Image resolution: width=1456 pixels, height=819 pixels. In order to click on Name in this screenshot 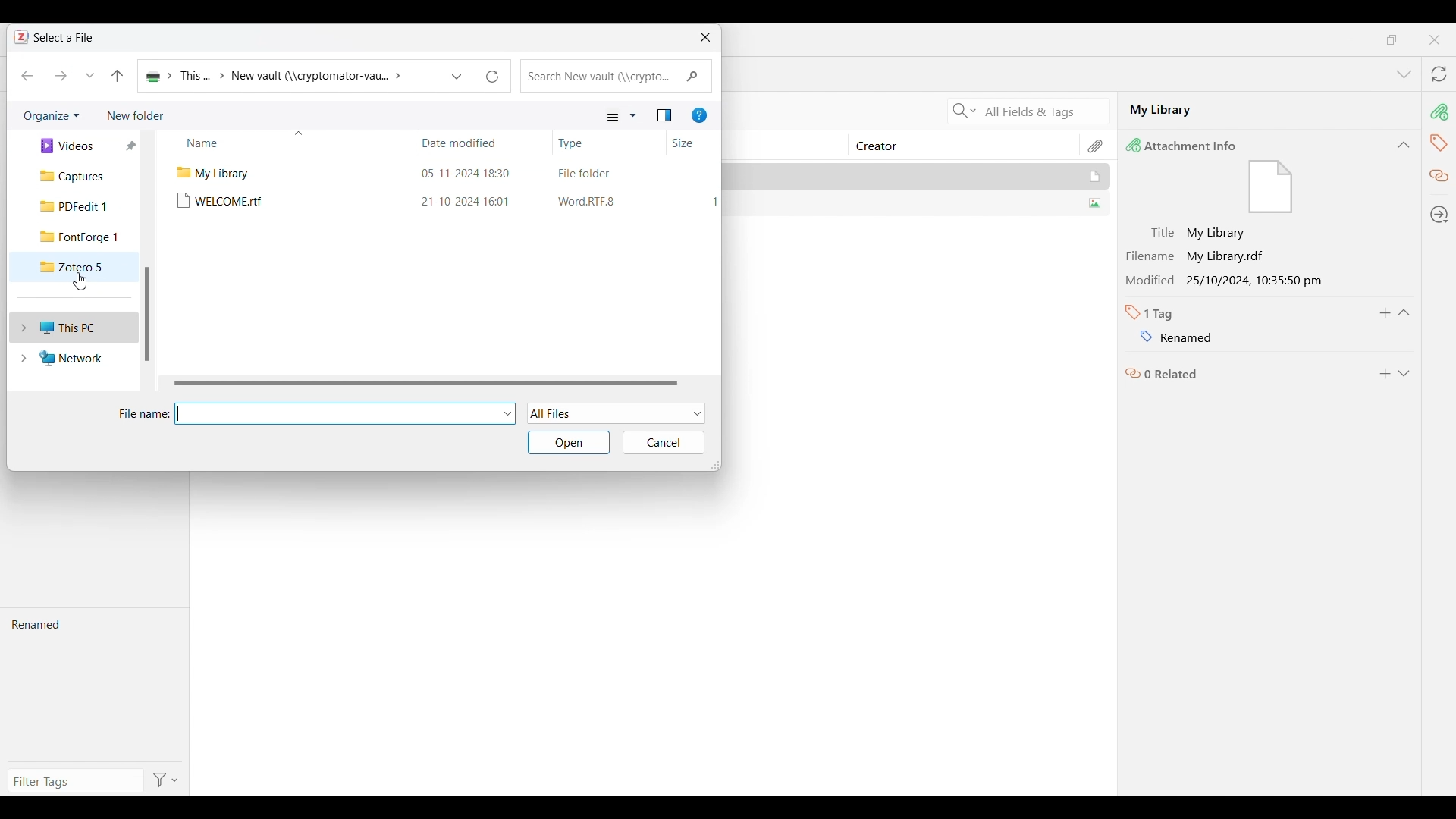, I will do `click(218, 145)`.